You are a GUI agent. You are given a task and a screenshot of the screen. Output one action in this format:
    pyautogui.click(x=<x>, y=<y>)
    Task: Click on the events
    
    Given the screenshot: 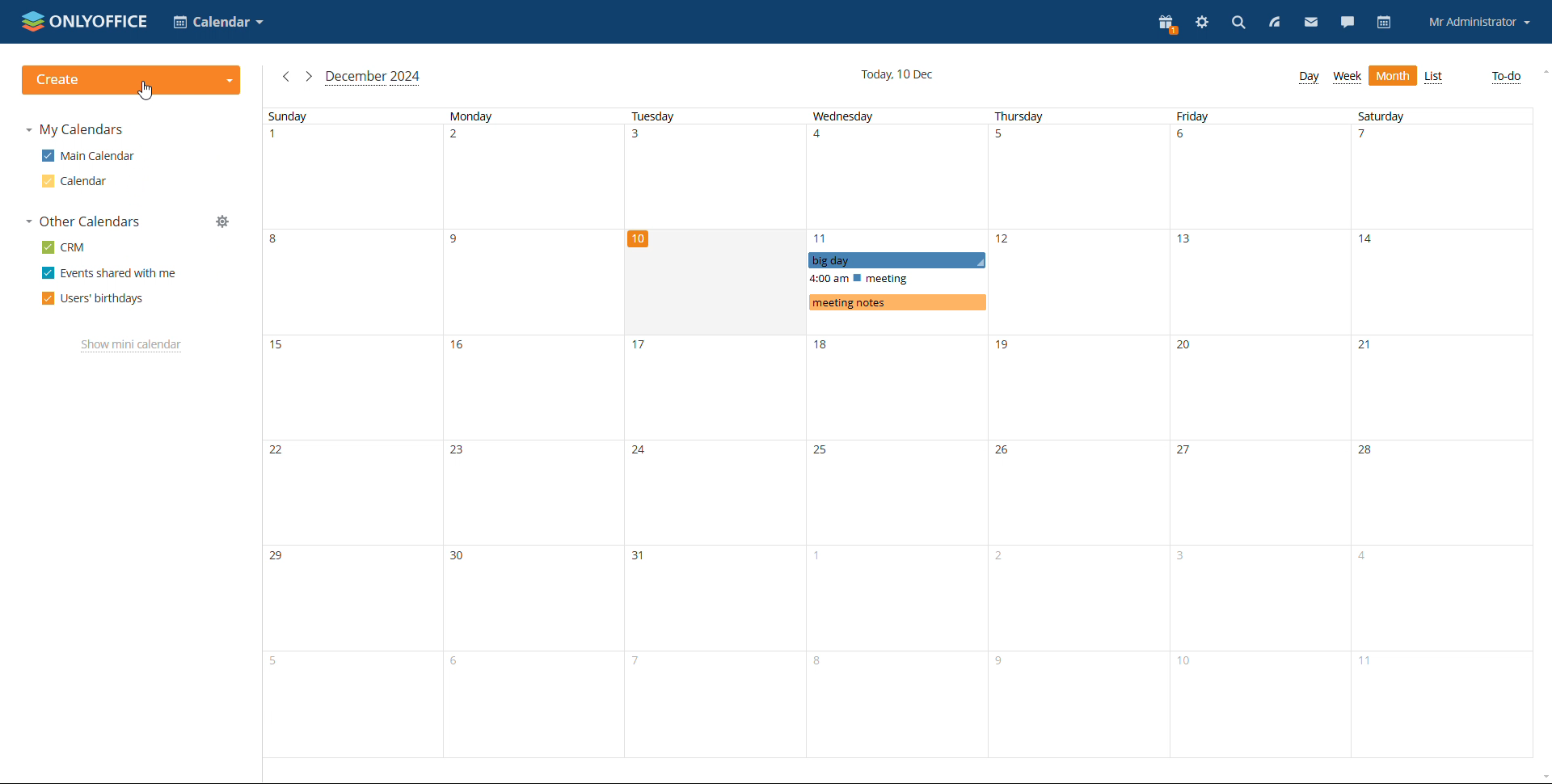 What is the action you would take?
    pyautogui.click(x=896, y=281)
    